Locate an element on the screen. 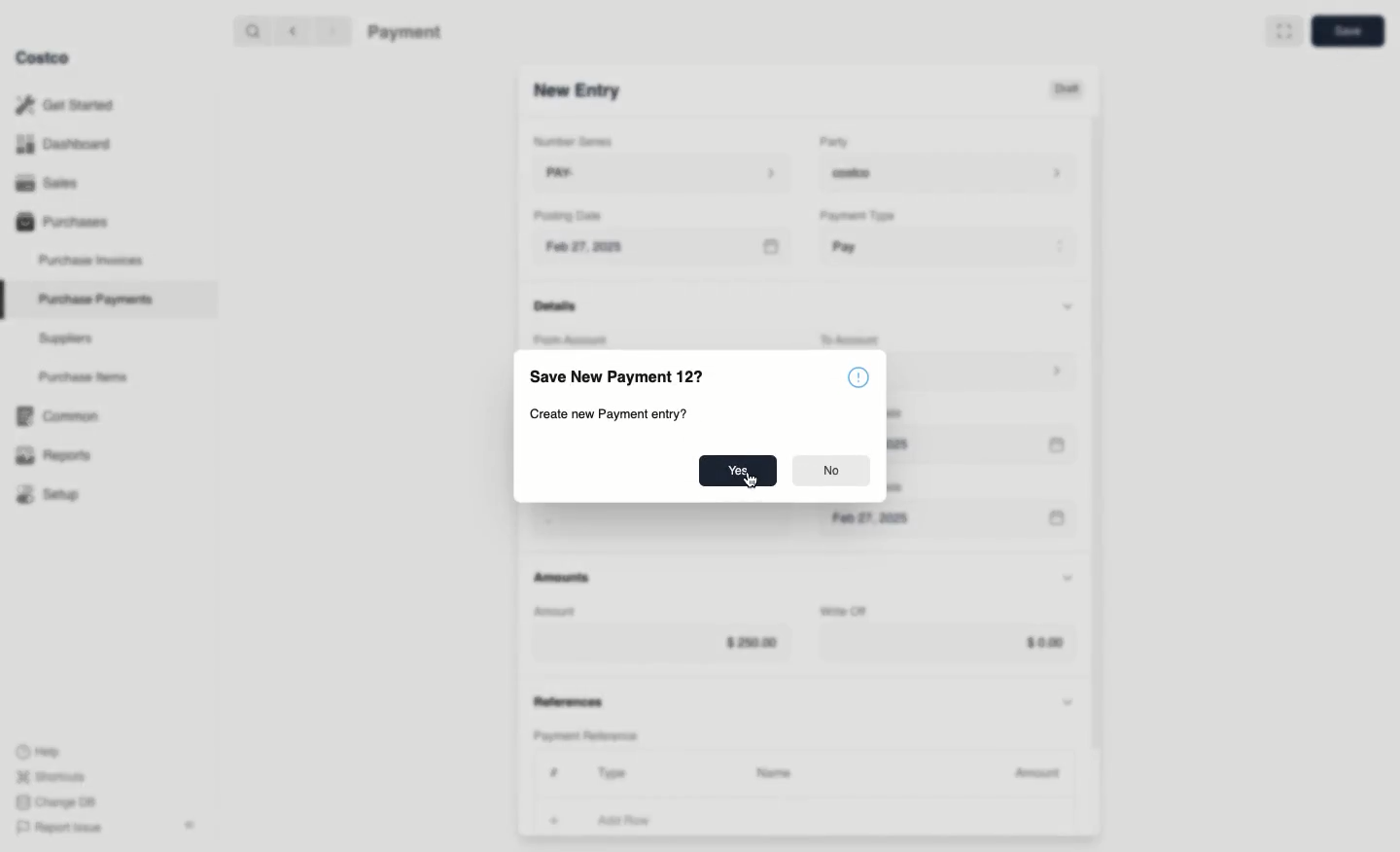 This screenshot has width=1400, height=852. Report Issue is located at coordinates (59, 829).